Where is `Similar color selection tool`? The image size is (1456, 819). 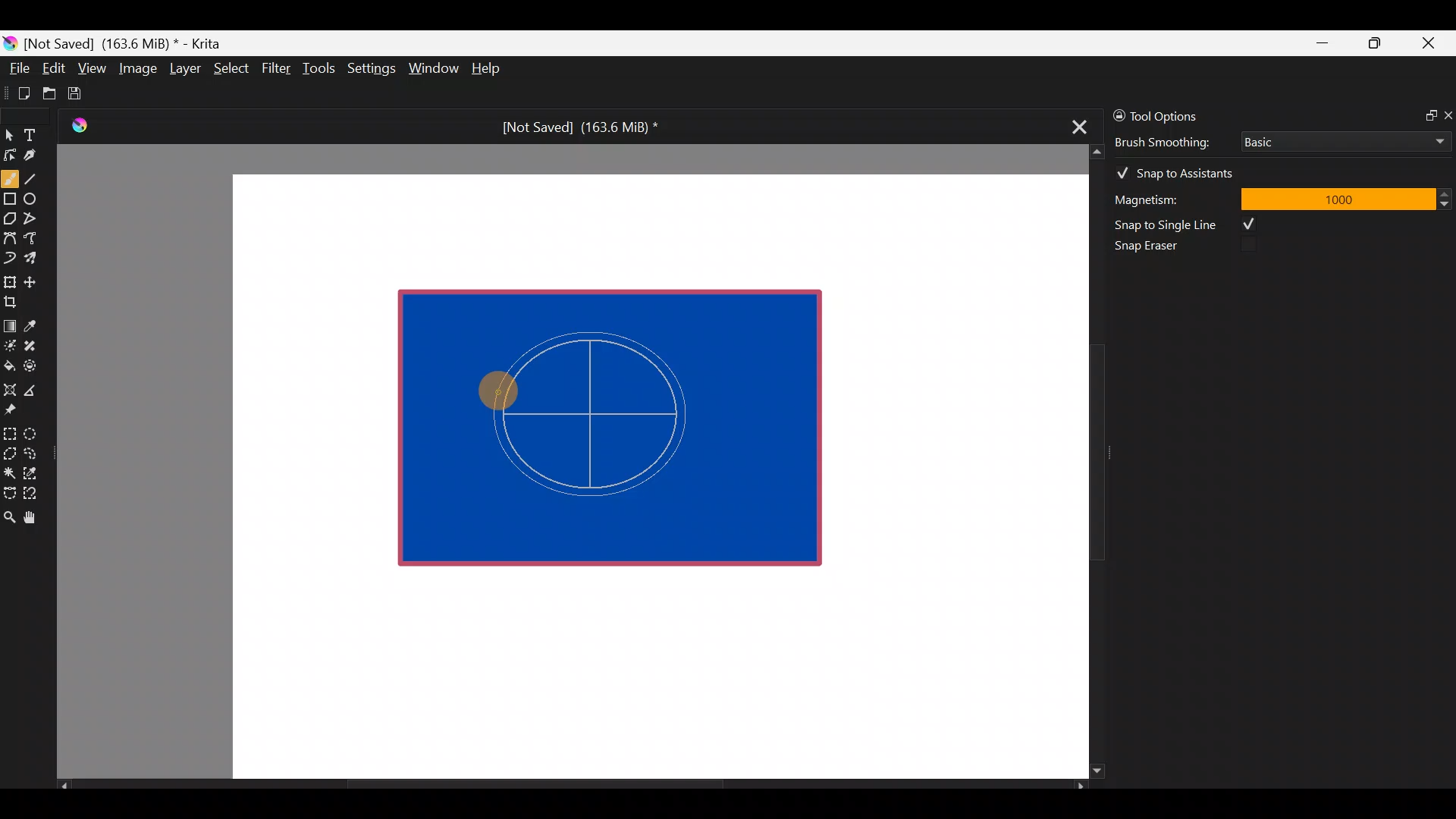
Similar color selection tool is located at coordinates (33, 472).